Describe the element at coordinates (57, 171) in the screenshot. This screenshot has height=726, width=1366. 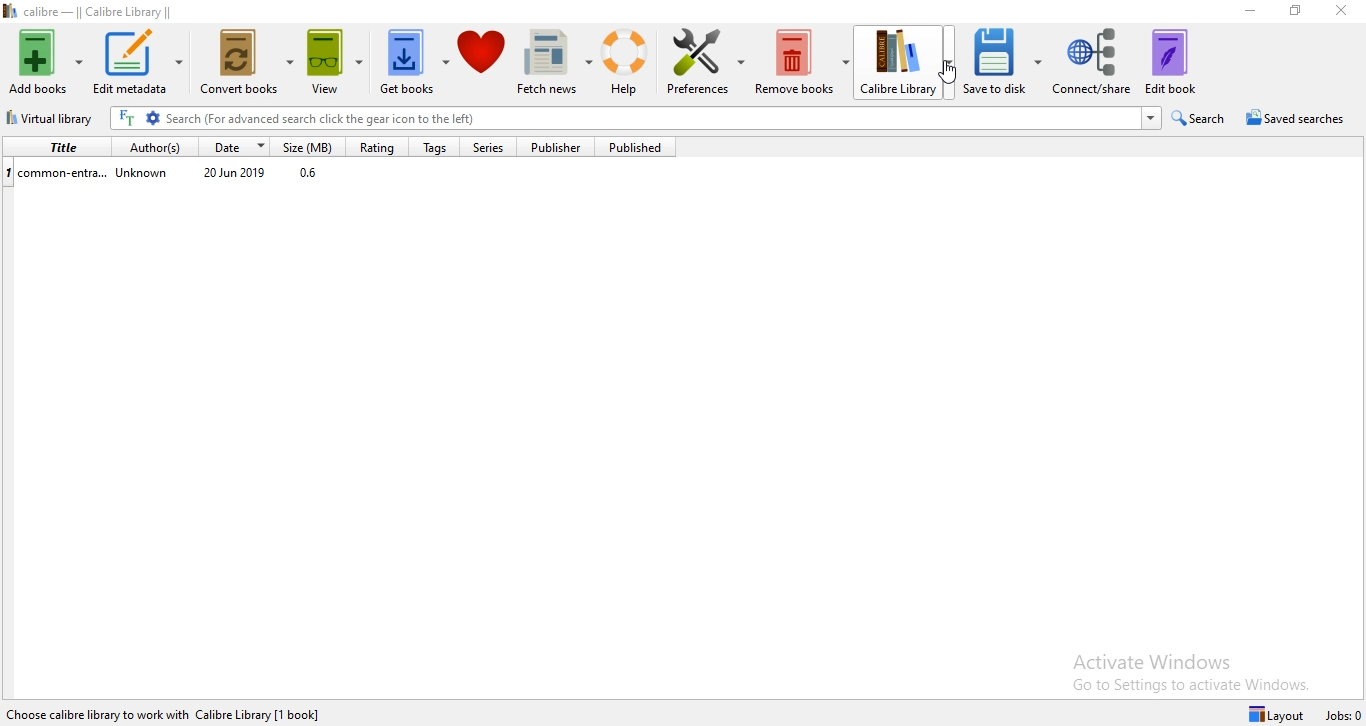
I see `common-entra...` at that location.